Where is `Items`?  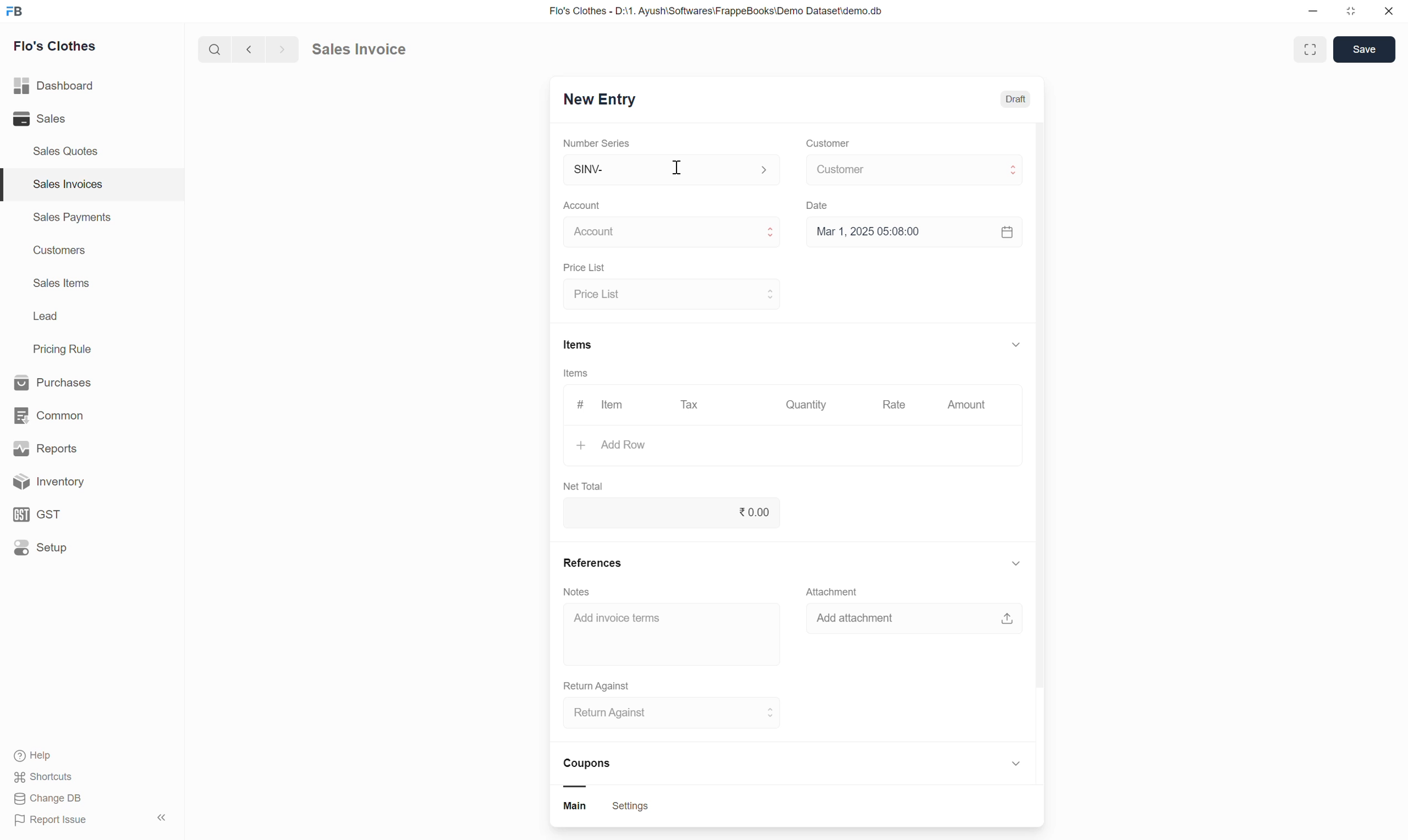
Items is located at coordinates (577, 344).